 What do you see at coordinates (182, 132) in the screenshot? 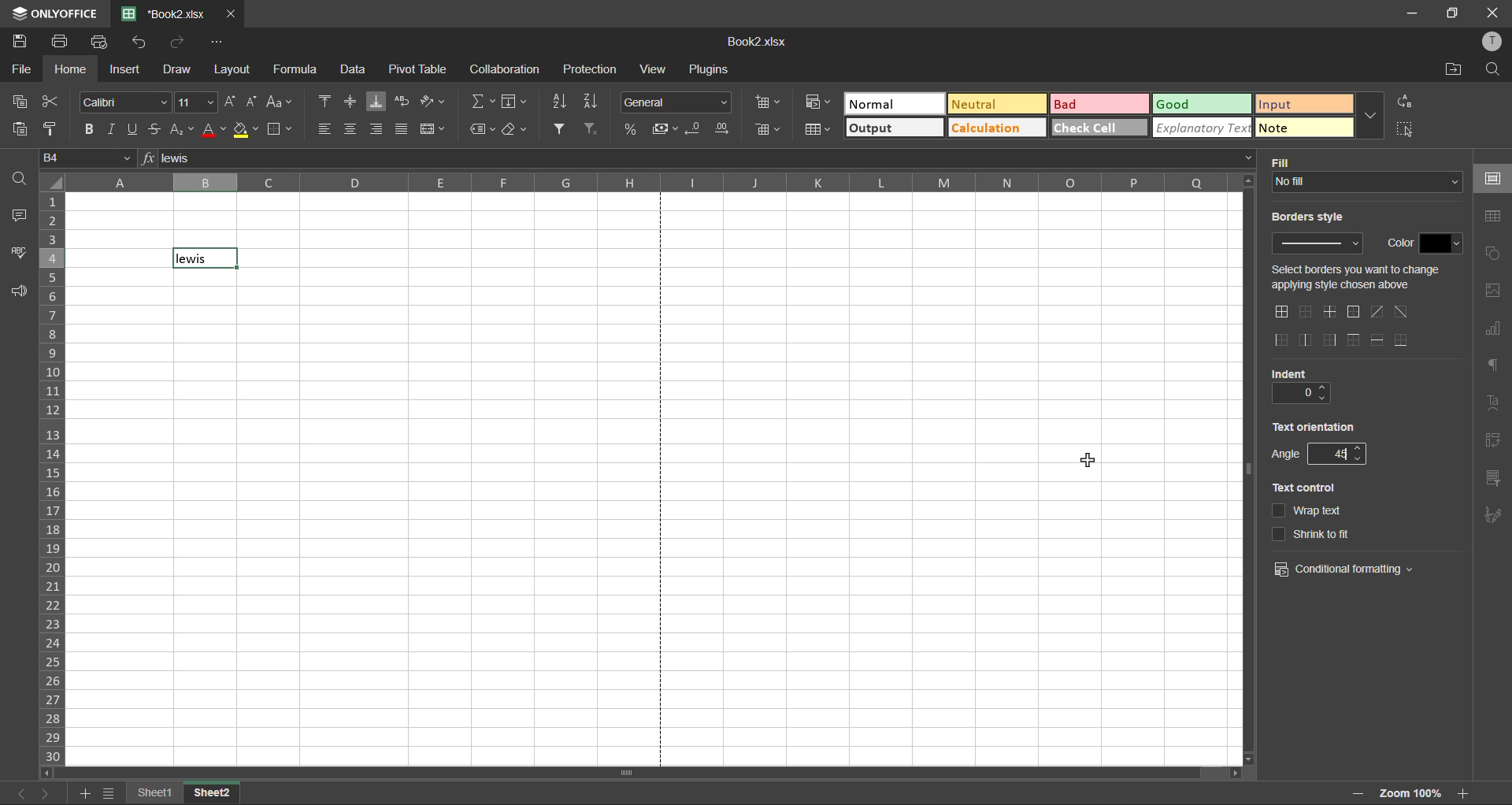
I see `sub/superscript` at bounding box center [182, 132].